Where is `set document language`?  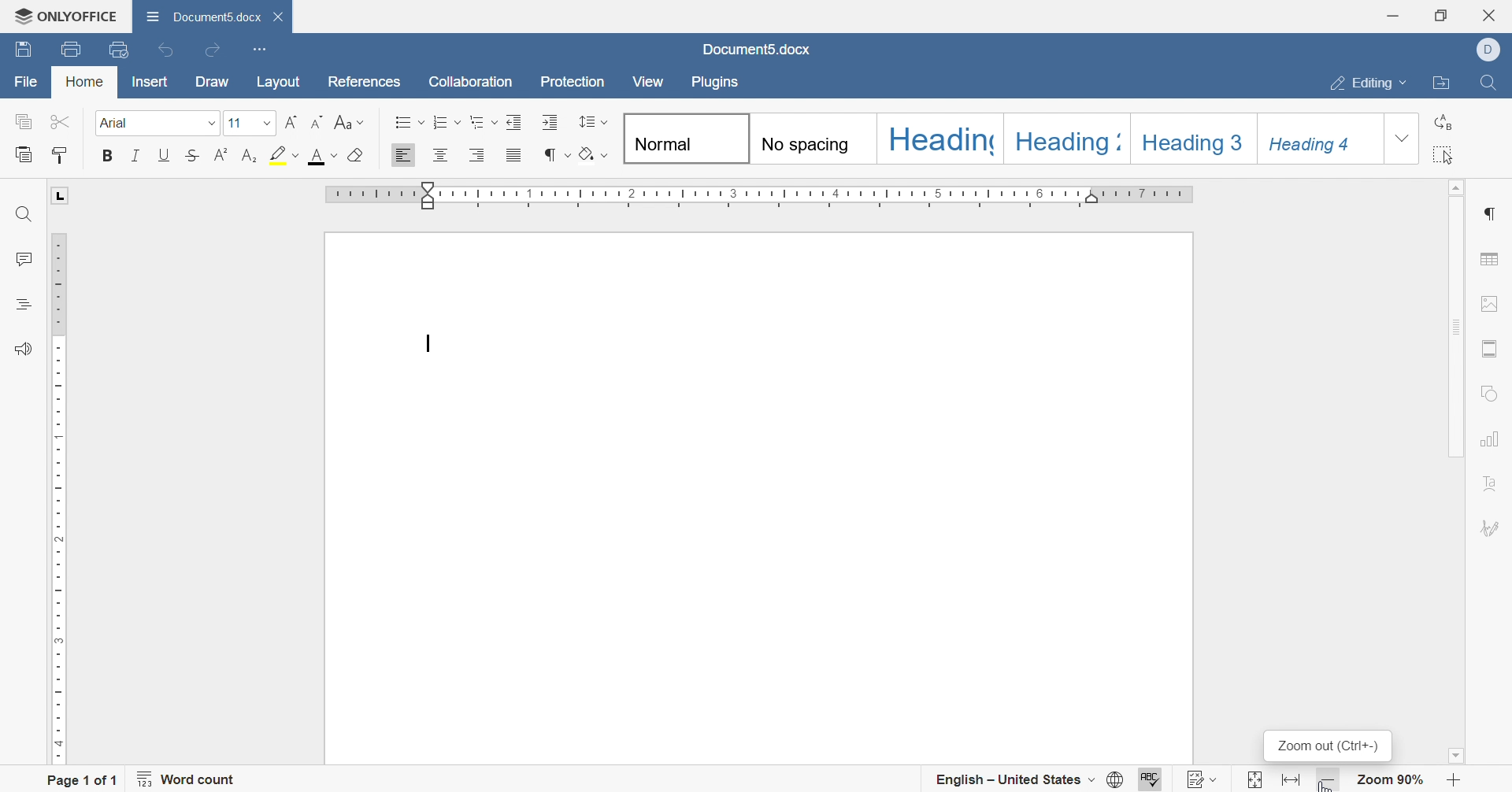
set document language is located at coordinates (1116, 778).